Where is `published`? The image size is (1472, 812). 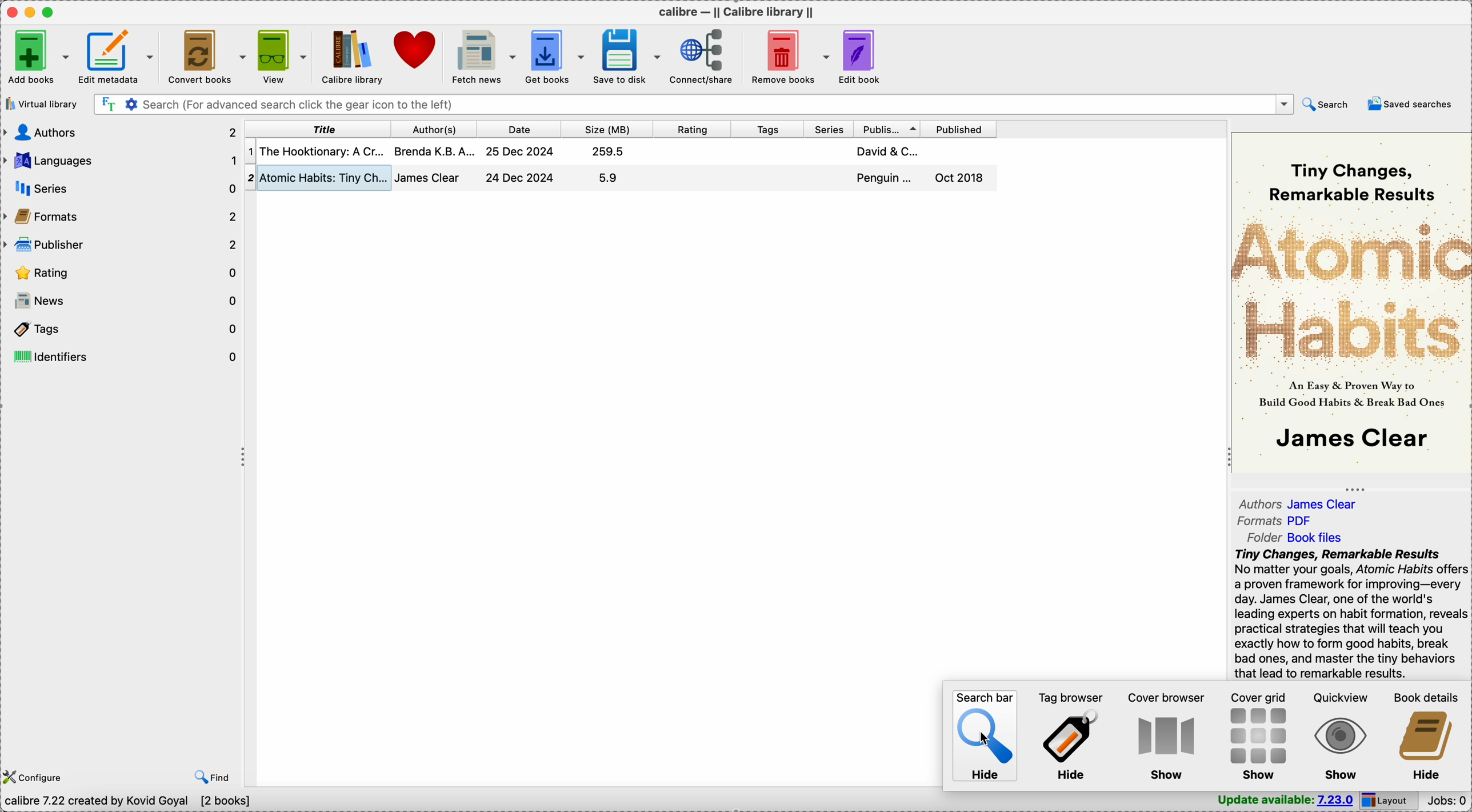 published is located at coordinates (961, 129).